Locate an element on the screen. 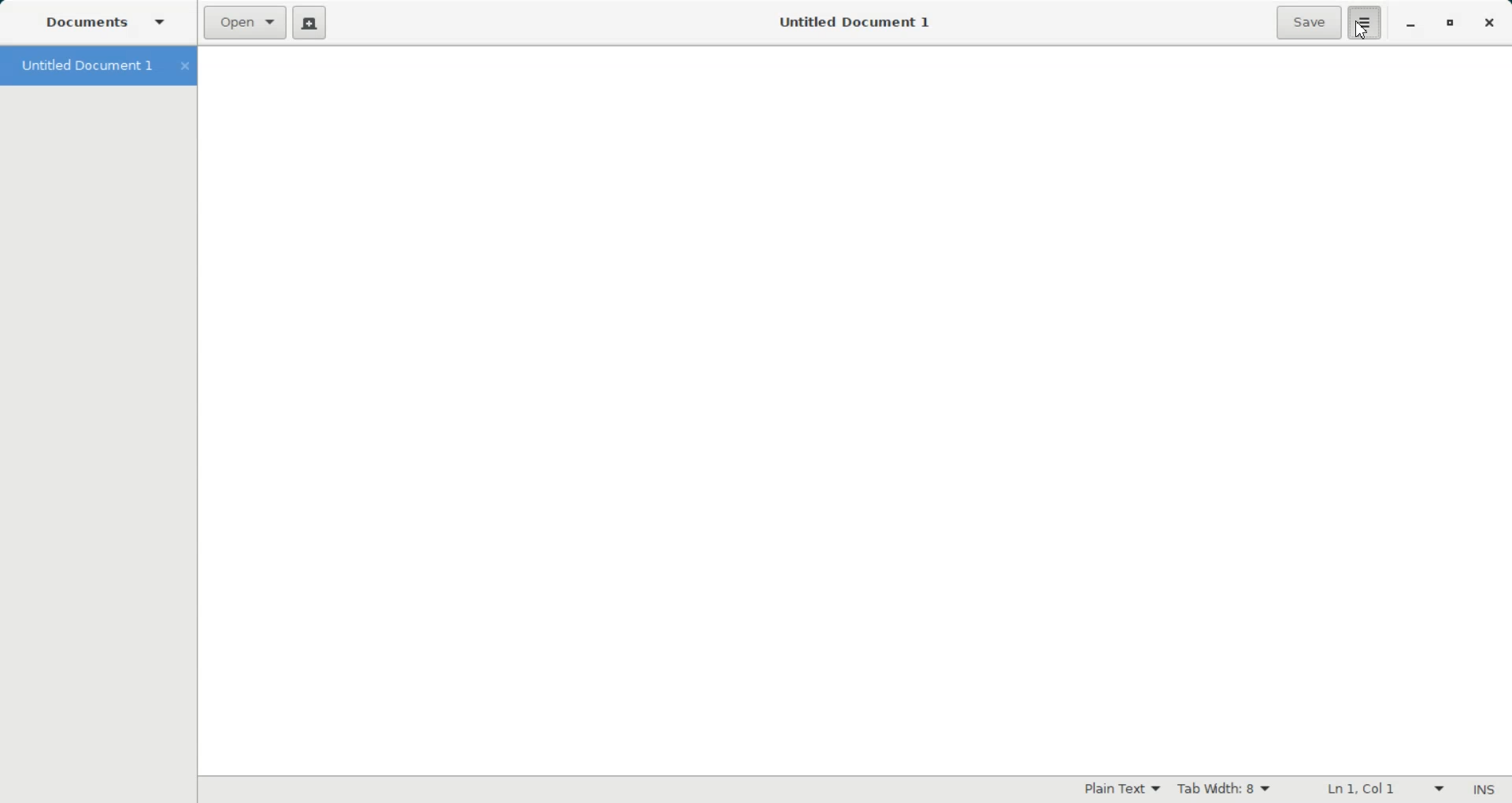 Image resolution: width=1512 pixels, height=803 pixels. Minimize is located at coordinates (1412, 24).